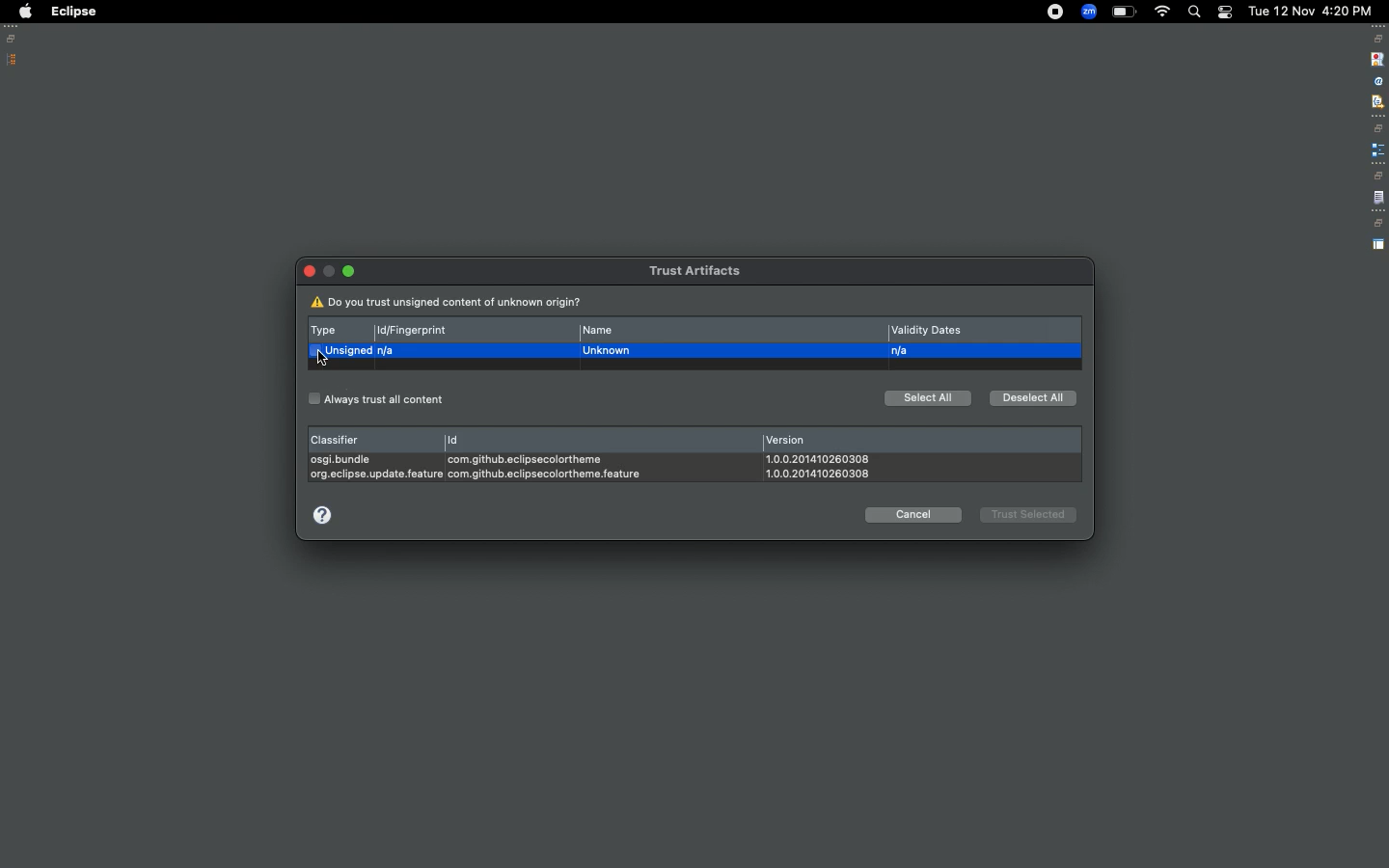 The height and width of the screenshot is (868, 1389). Describe the element at coordinates (24, 12) in the screenshot. I see `Apple logo` at that location.